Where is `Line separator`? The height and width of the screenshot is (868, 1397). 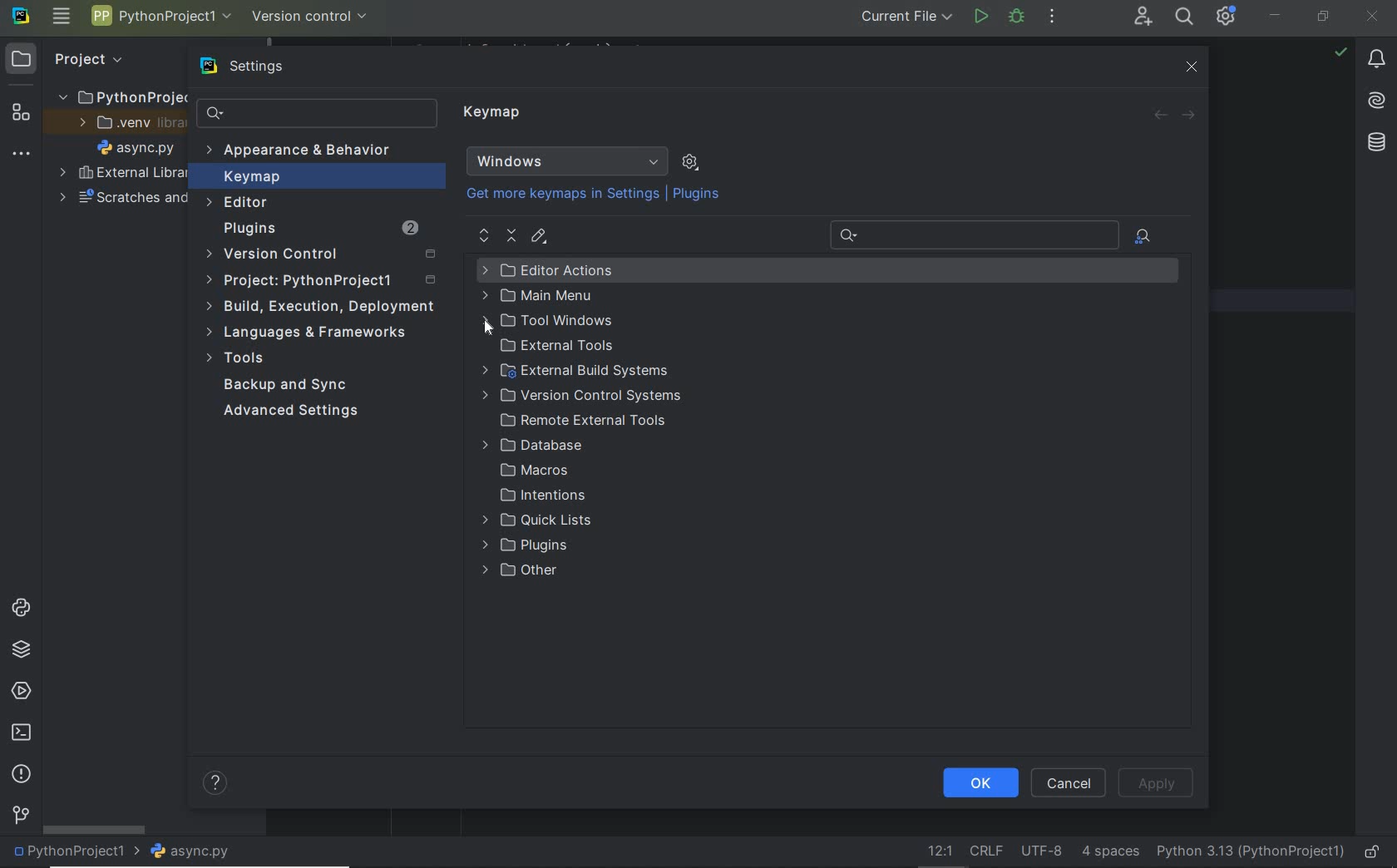 Line separator is located at coordinates (985, 851).